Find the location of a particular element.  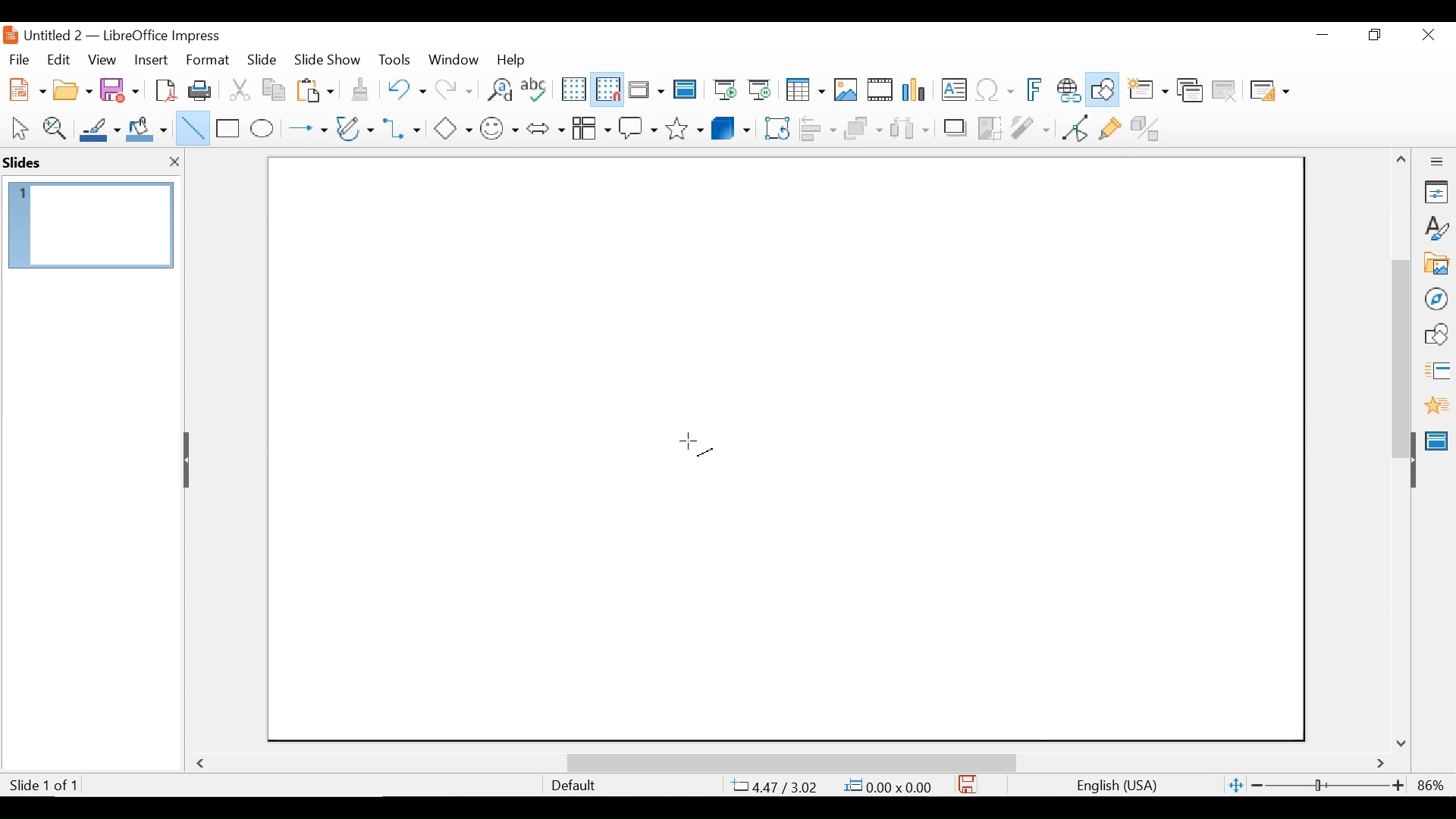

Slide Show is located at coordinates (328, 58).